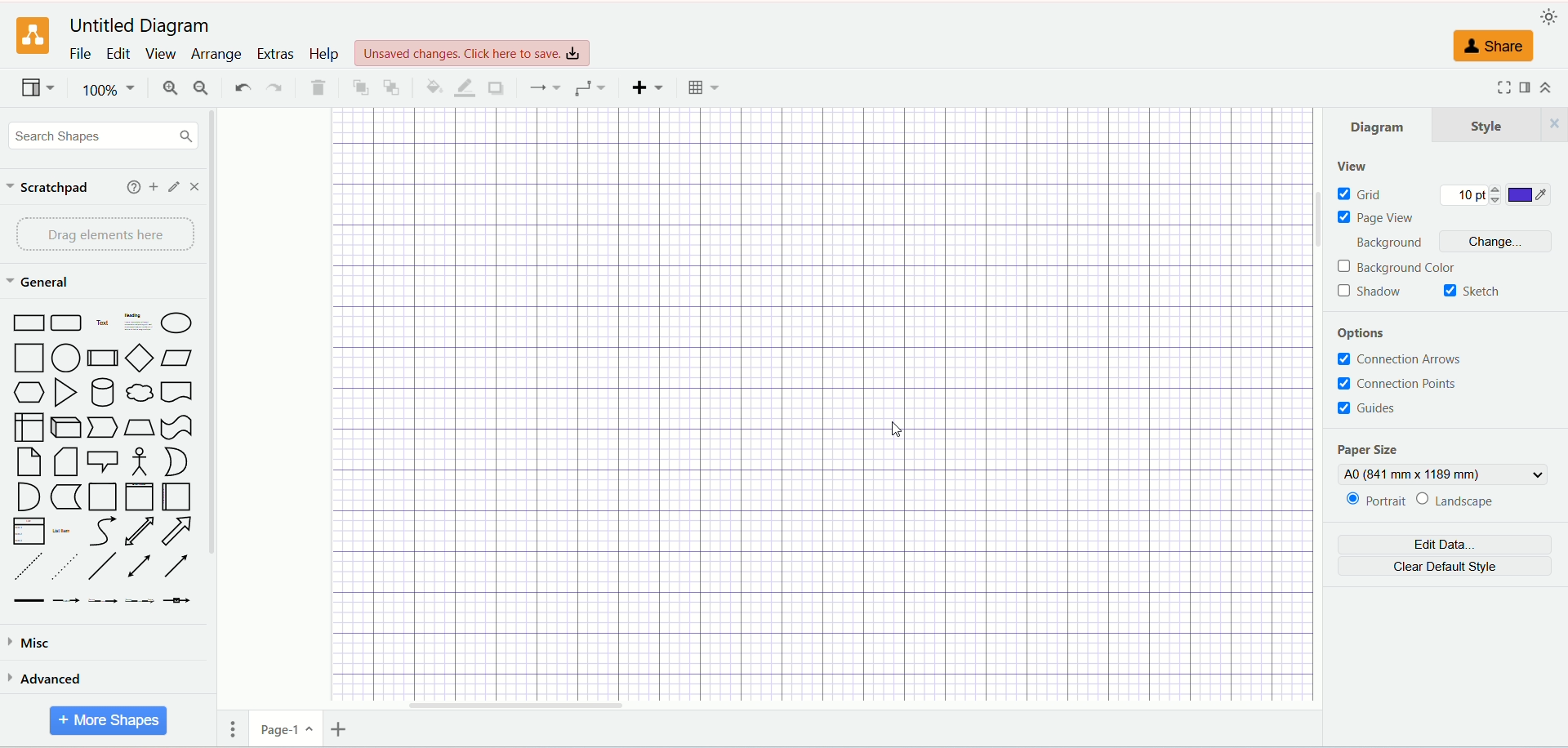 This screenshot has width=1568, height=748. I want to click on title, so click(137, 24).